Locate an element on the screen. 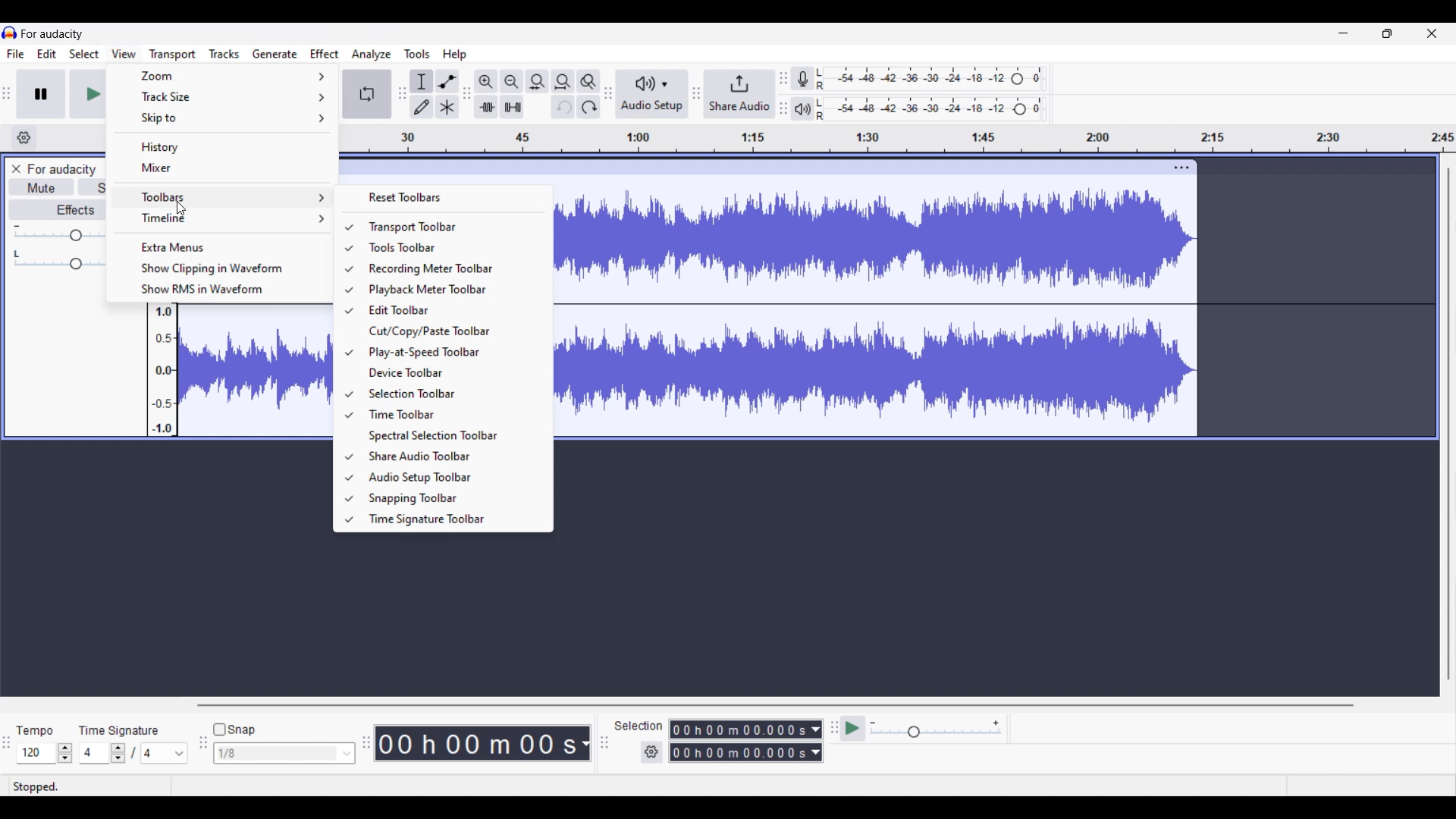 The image size is (1456, 819). Cut/Copy/Paste toolbar is located at coordinates (452, 331).